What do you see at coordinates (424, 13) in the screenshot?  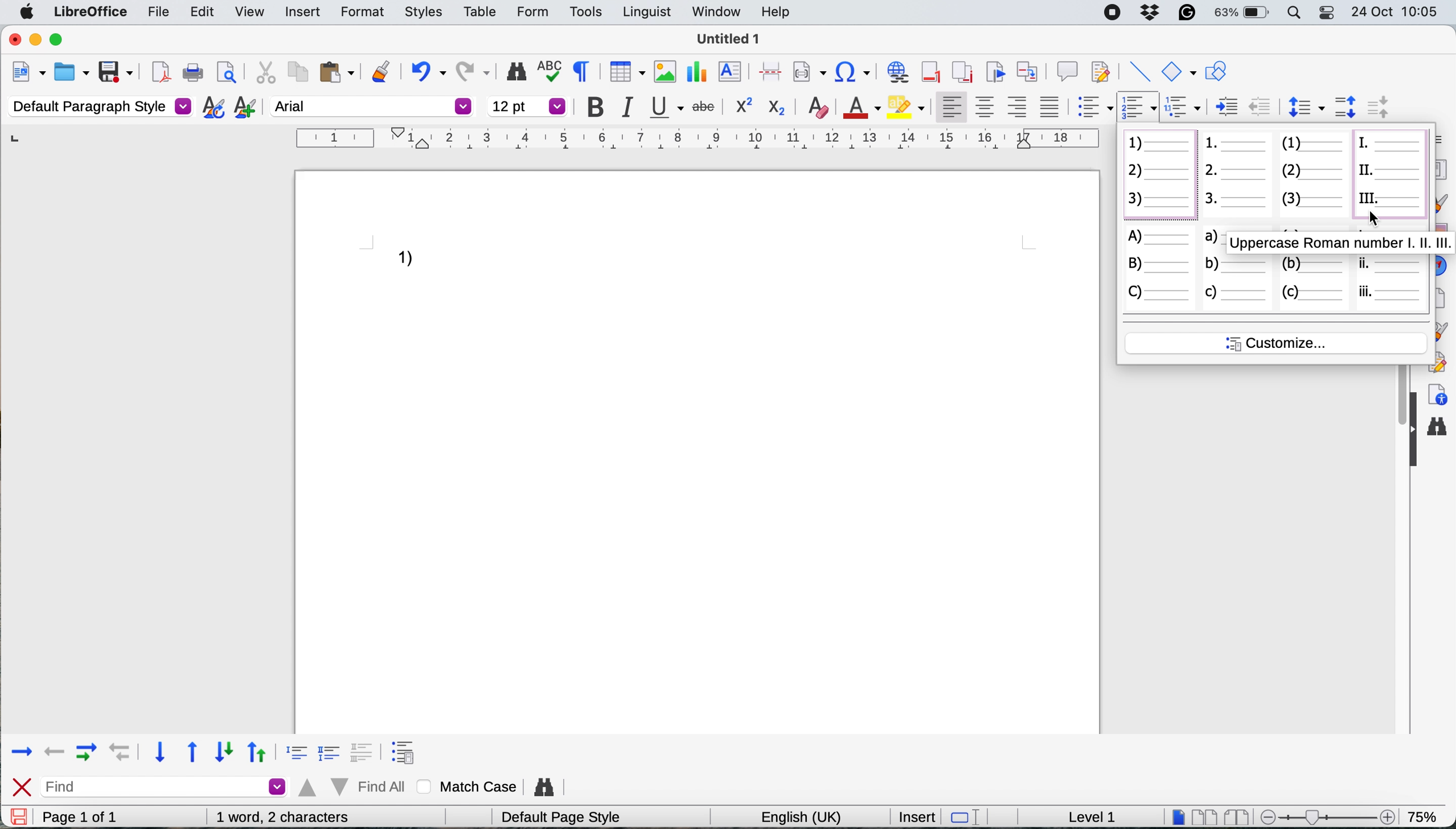 I see `styles` at bounding box center [424, 13].